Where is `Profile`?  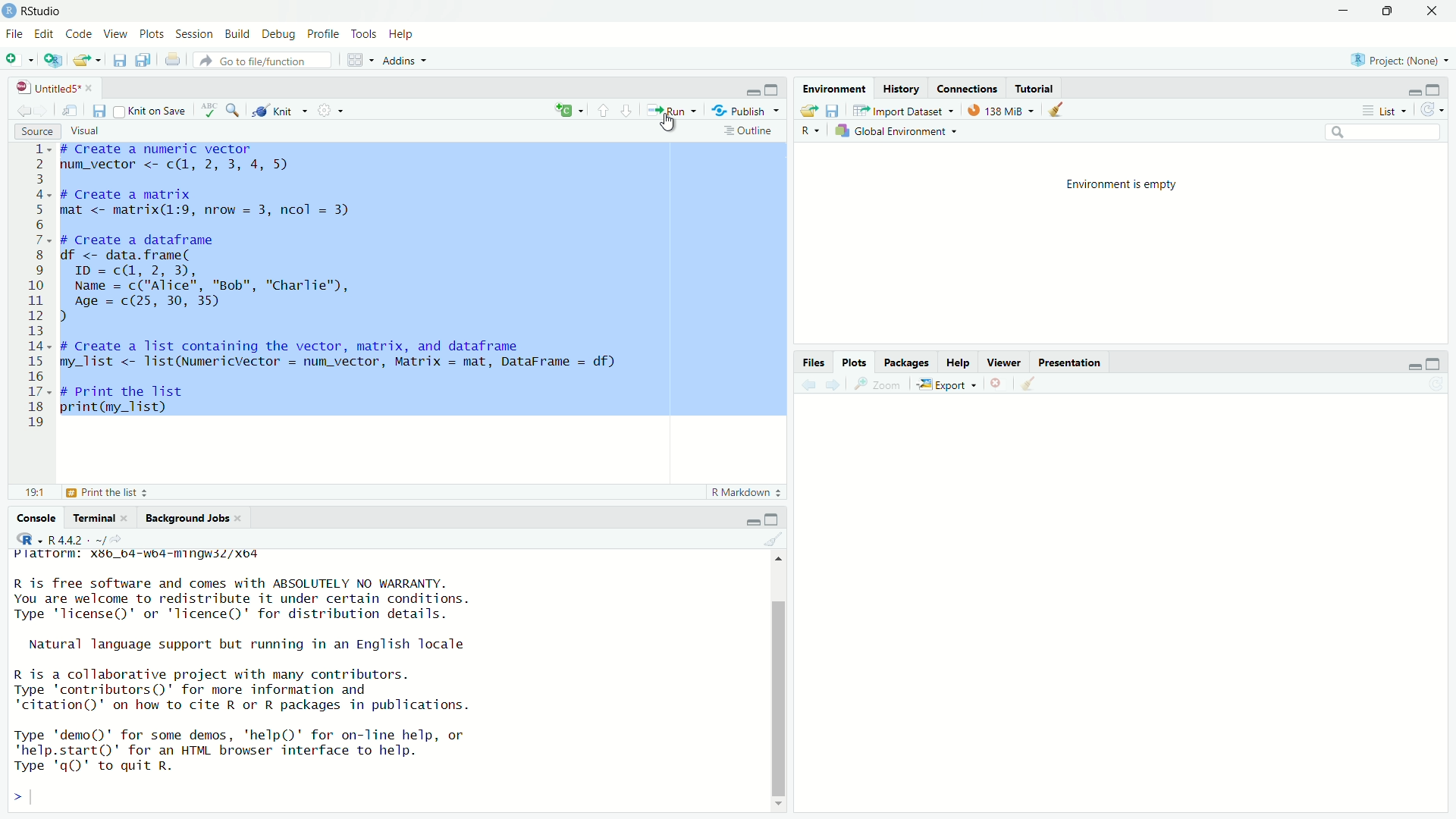 Profile is located at coordinates (322, 33).